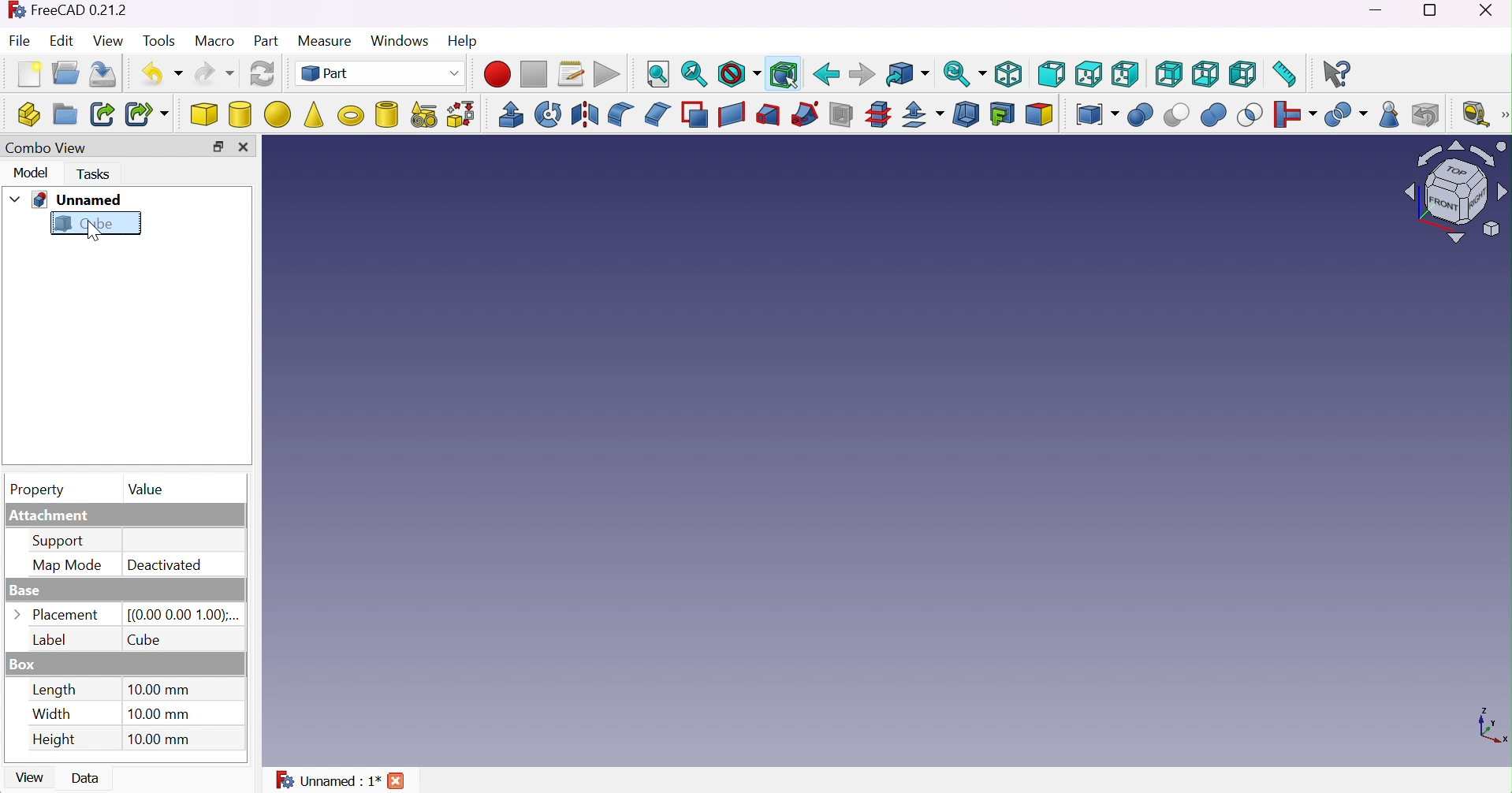  What do you see at coordinates (1141, 116) in the screenshot?
I see `Union ` at bounding box center [1141, 116].